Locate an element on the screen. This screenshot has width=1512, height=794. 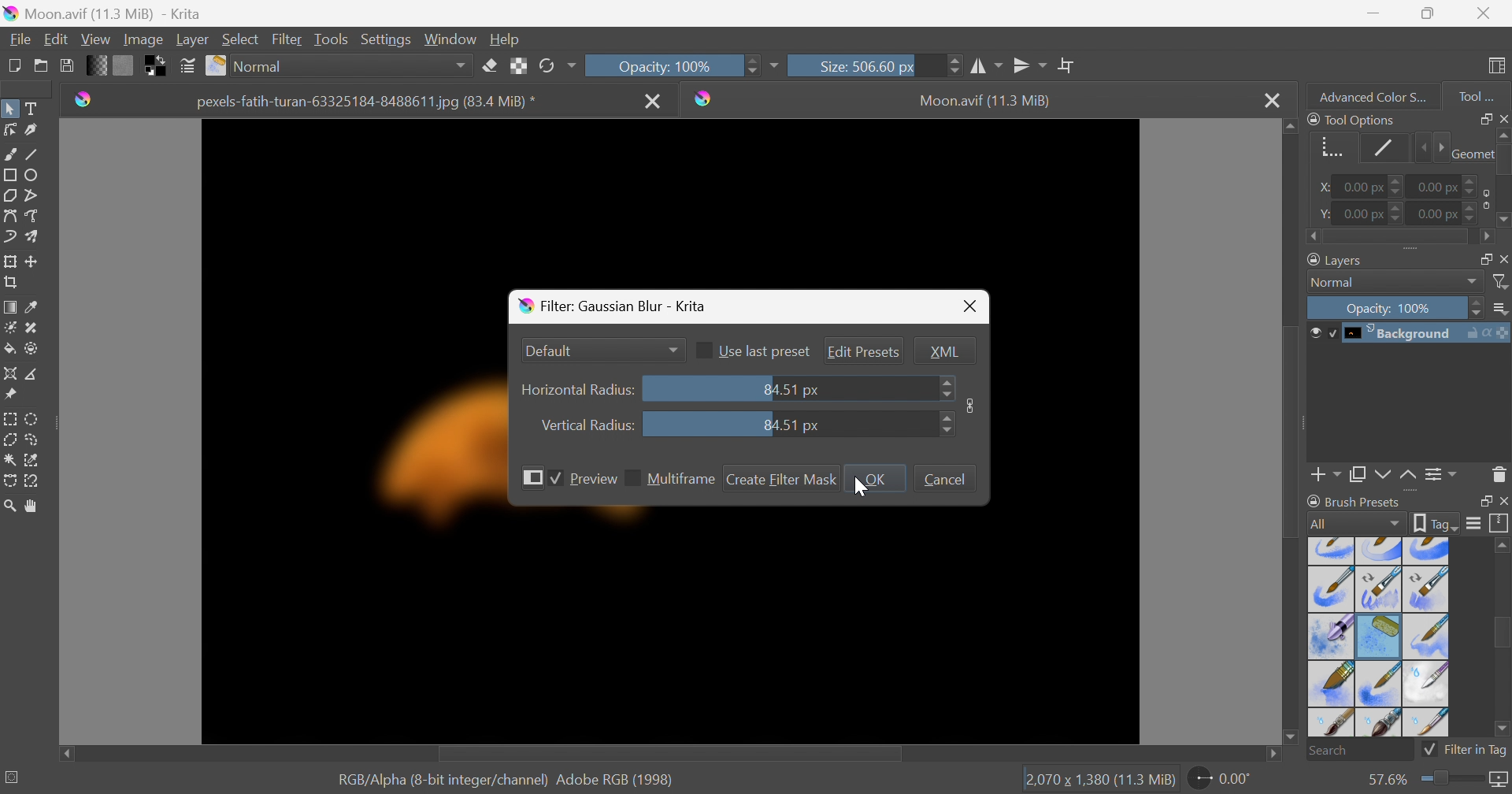
Close is located at coordinates (971, 307).